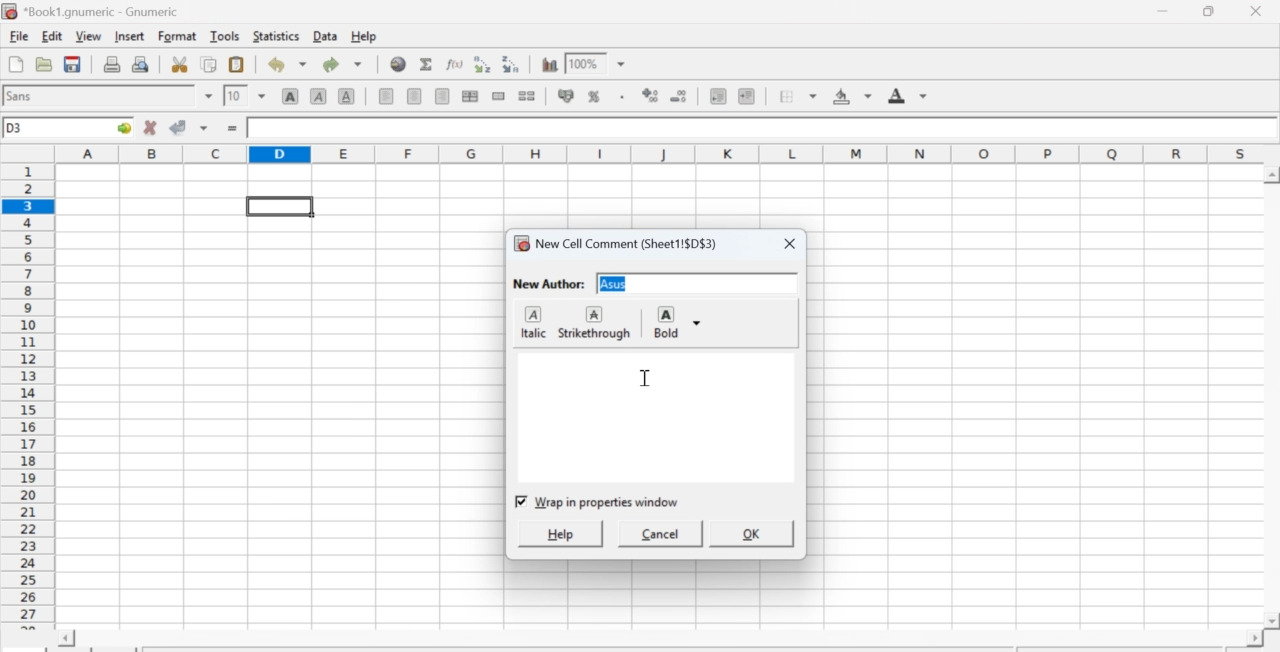 The image size is (1280, 652). Describe the element at coordinates (64, 638) in the screenshot. I see `scroll left` at that location.